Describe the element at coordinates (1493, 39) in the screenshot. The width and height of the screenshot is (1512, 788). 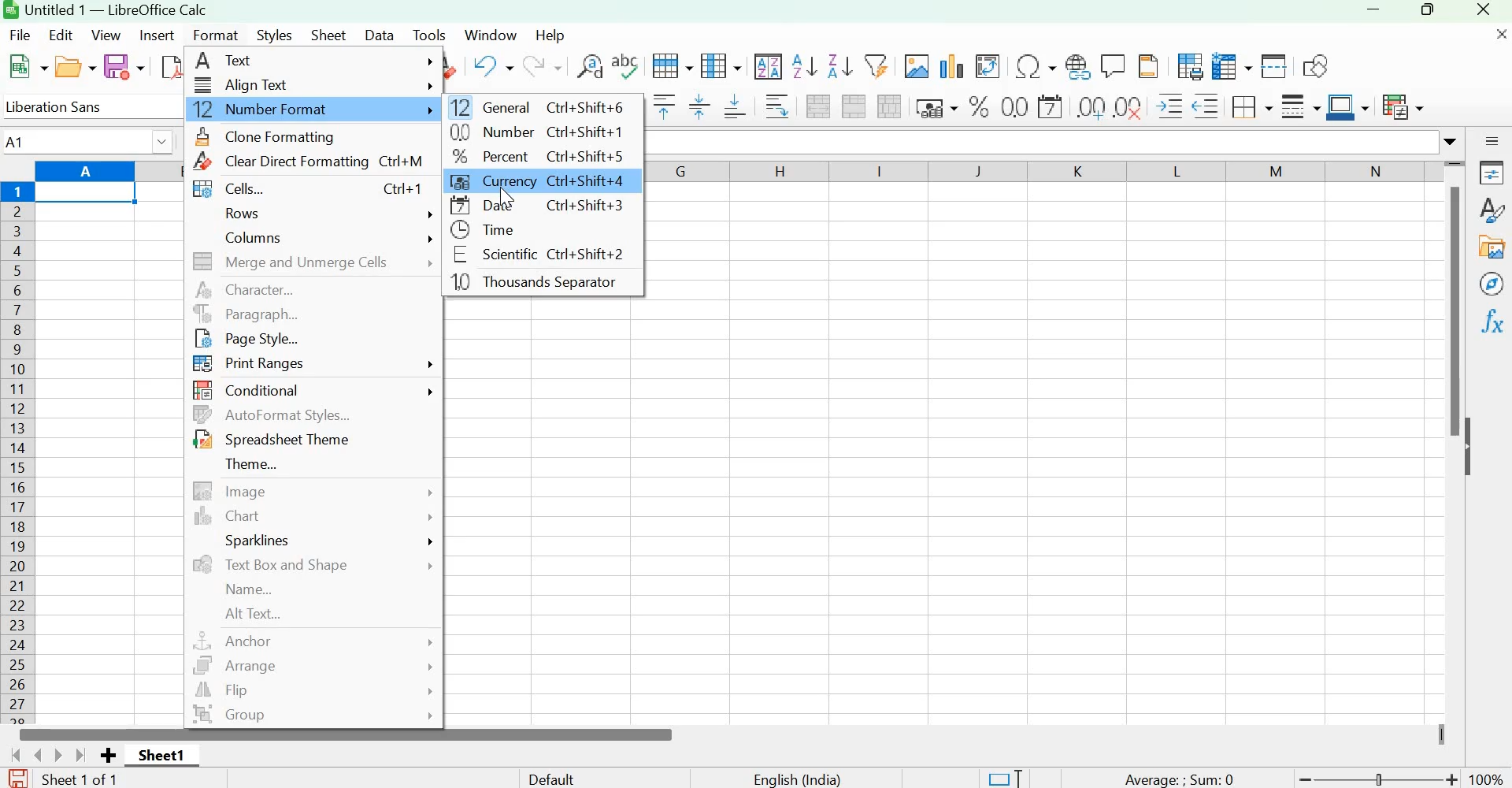
I see `Close document` at that location.